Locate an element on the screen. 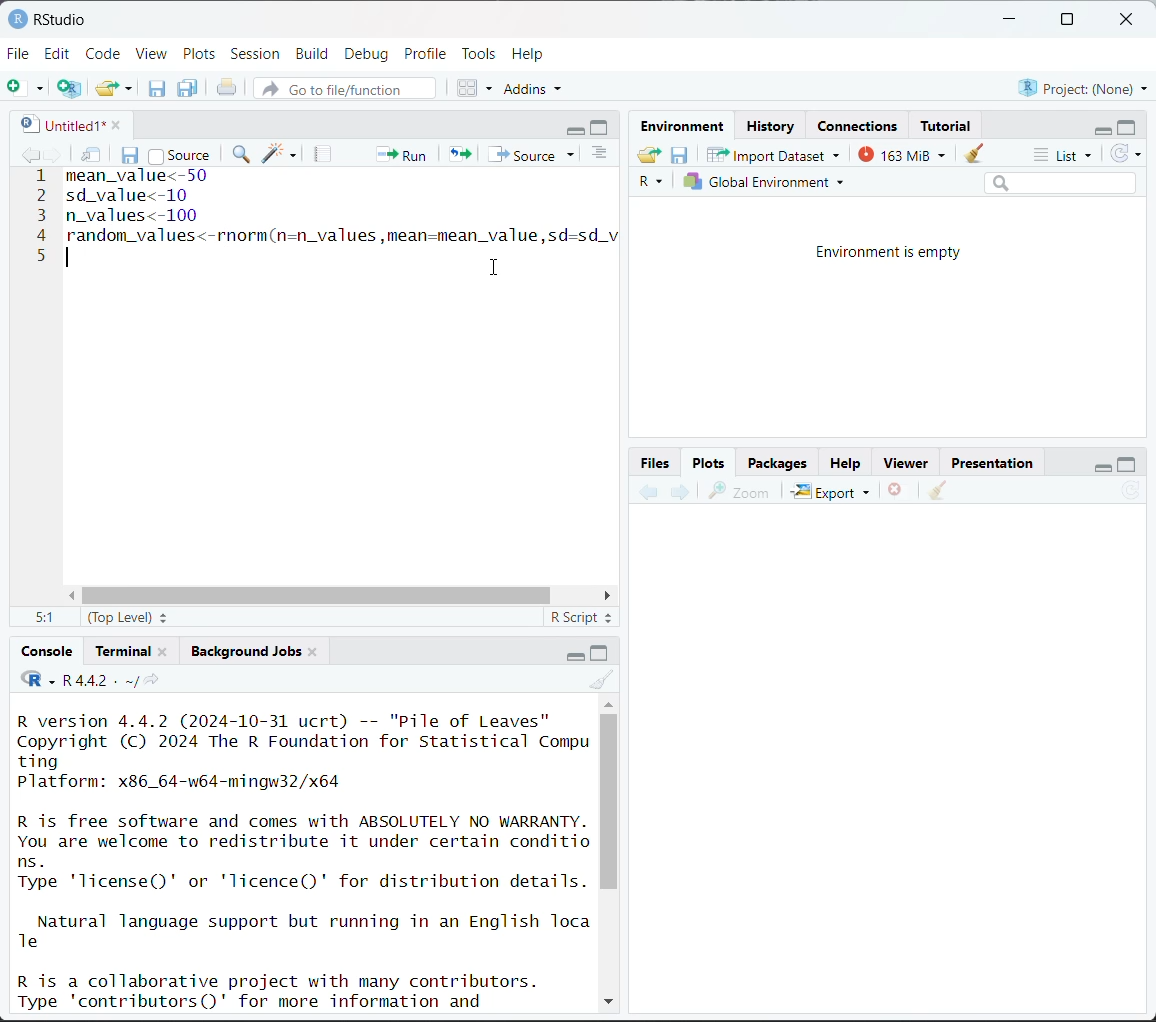 Image resolution: width=1156 pixels, height=1022 pixels. search is located at coordinates (1060, 182).